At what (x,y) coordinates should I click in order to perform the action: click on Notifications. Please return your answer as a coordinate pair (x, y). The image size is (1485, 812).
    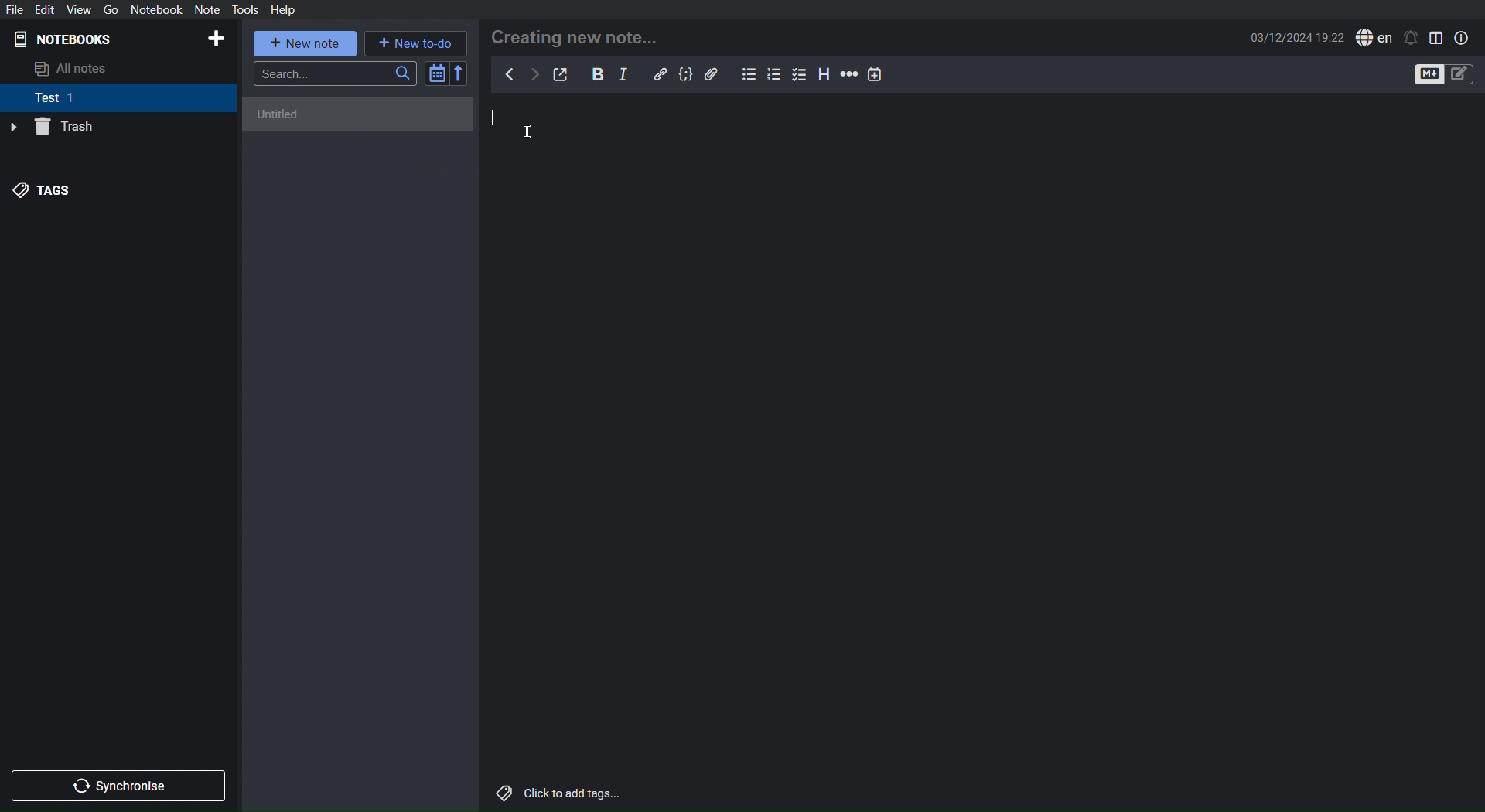
    Looking at the image, I should click on (1410, 39).